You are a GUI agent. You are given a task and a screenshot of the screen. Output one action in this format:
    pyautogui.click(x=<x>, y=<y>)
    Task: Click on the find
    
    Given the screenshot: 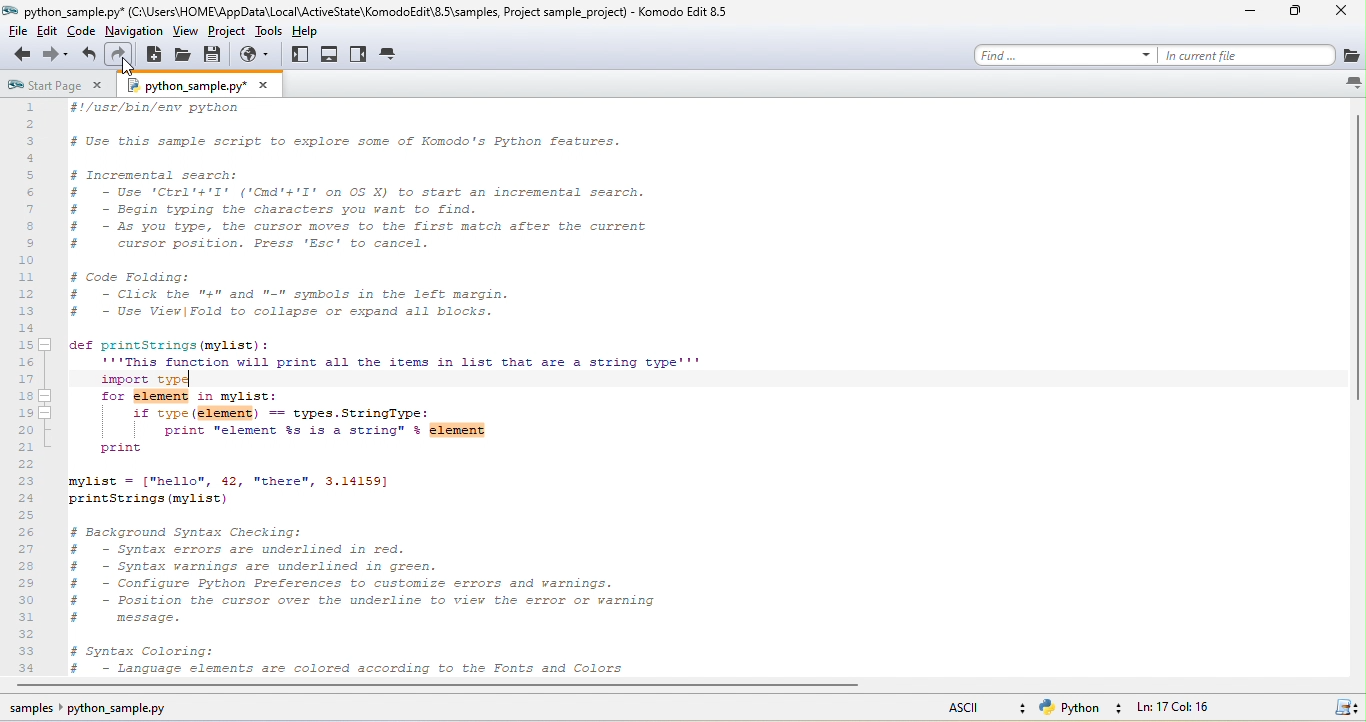 What is the action you would take?
    pyautogui.click(x=1061, y=54)
    